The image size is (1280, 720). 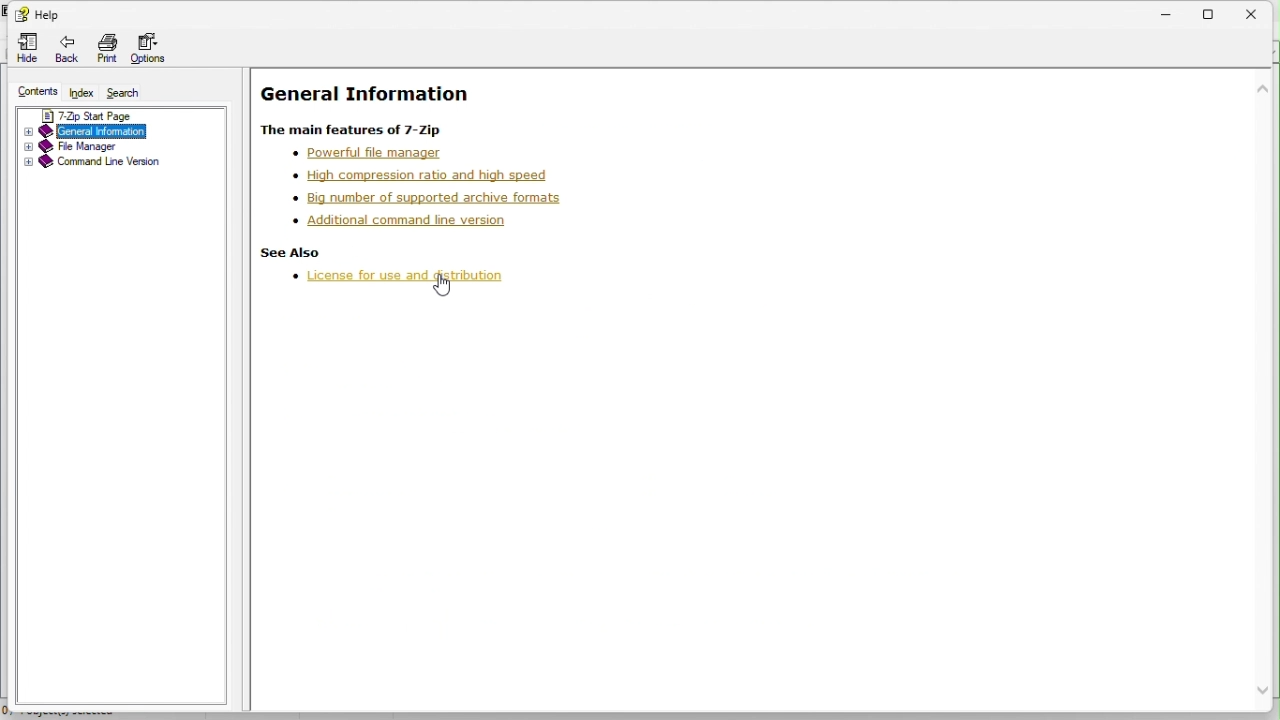 What do you see at coordinates (120, 165) in the screenshot?
I see `Command line version` at bounding box center [120, 165].